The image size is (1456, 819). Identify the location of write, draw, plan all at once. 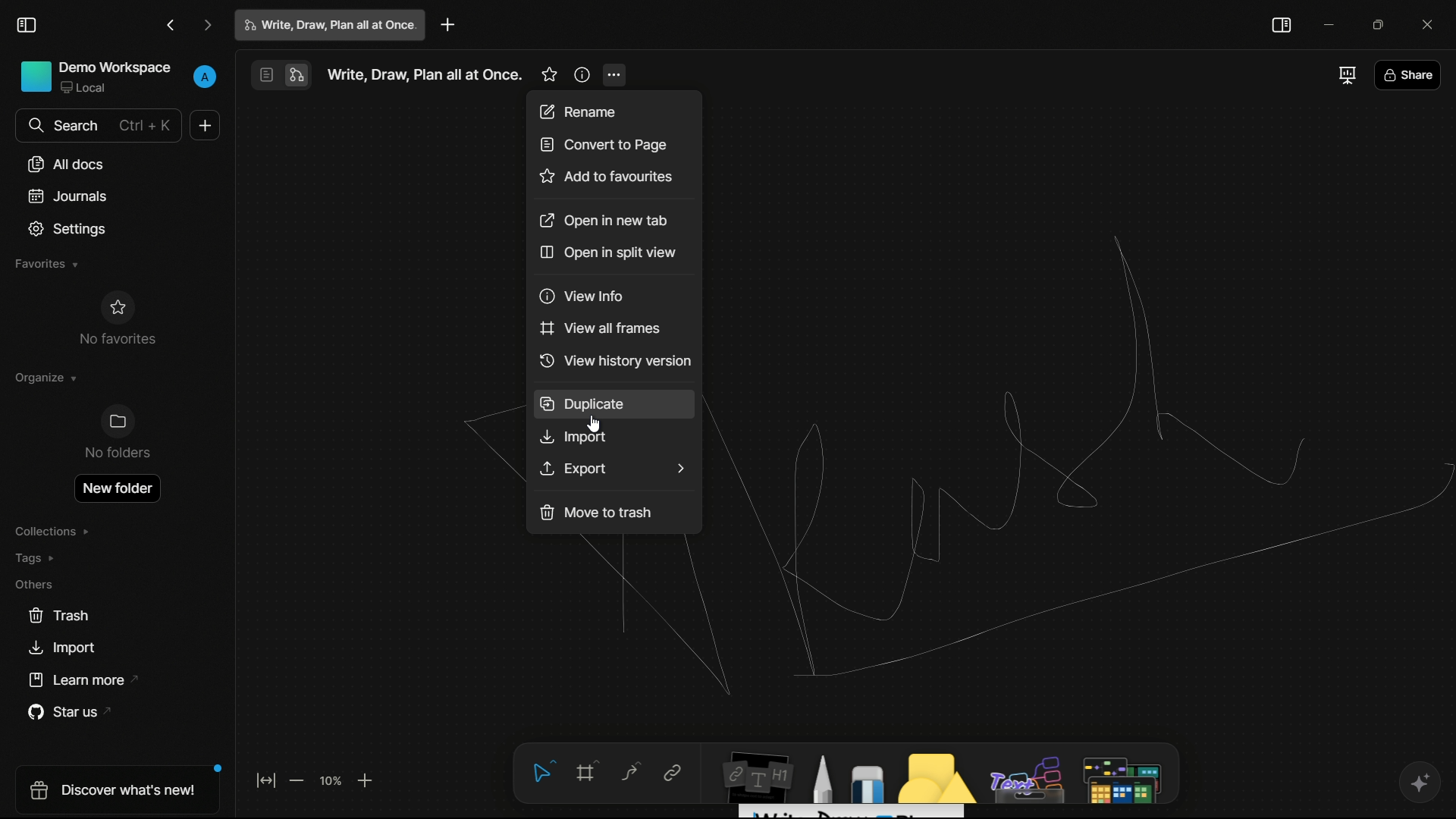
(331, 26).